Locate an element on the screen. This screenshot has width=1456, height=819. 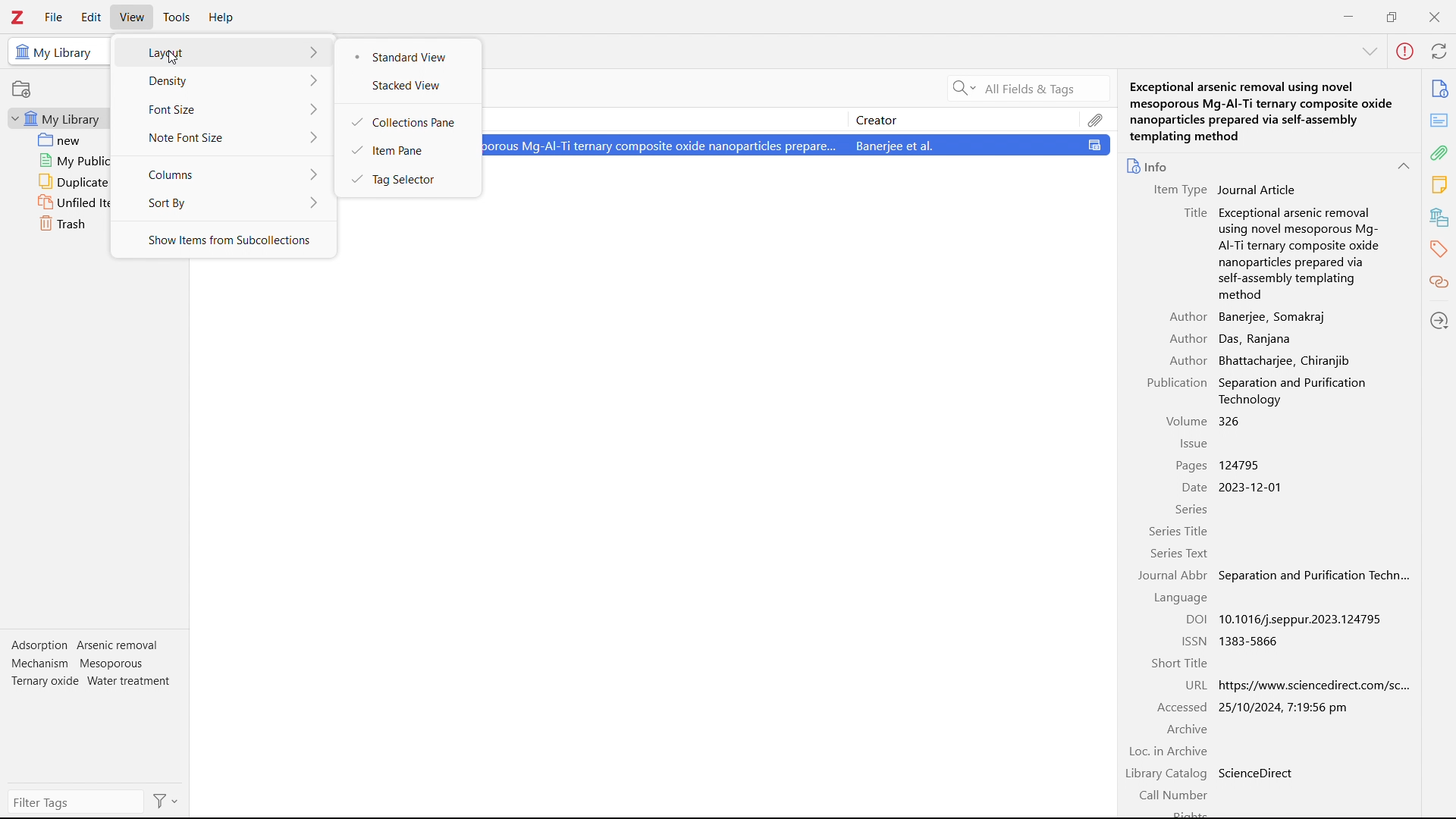
Date is located at coordinates (1194, 488).